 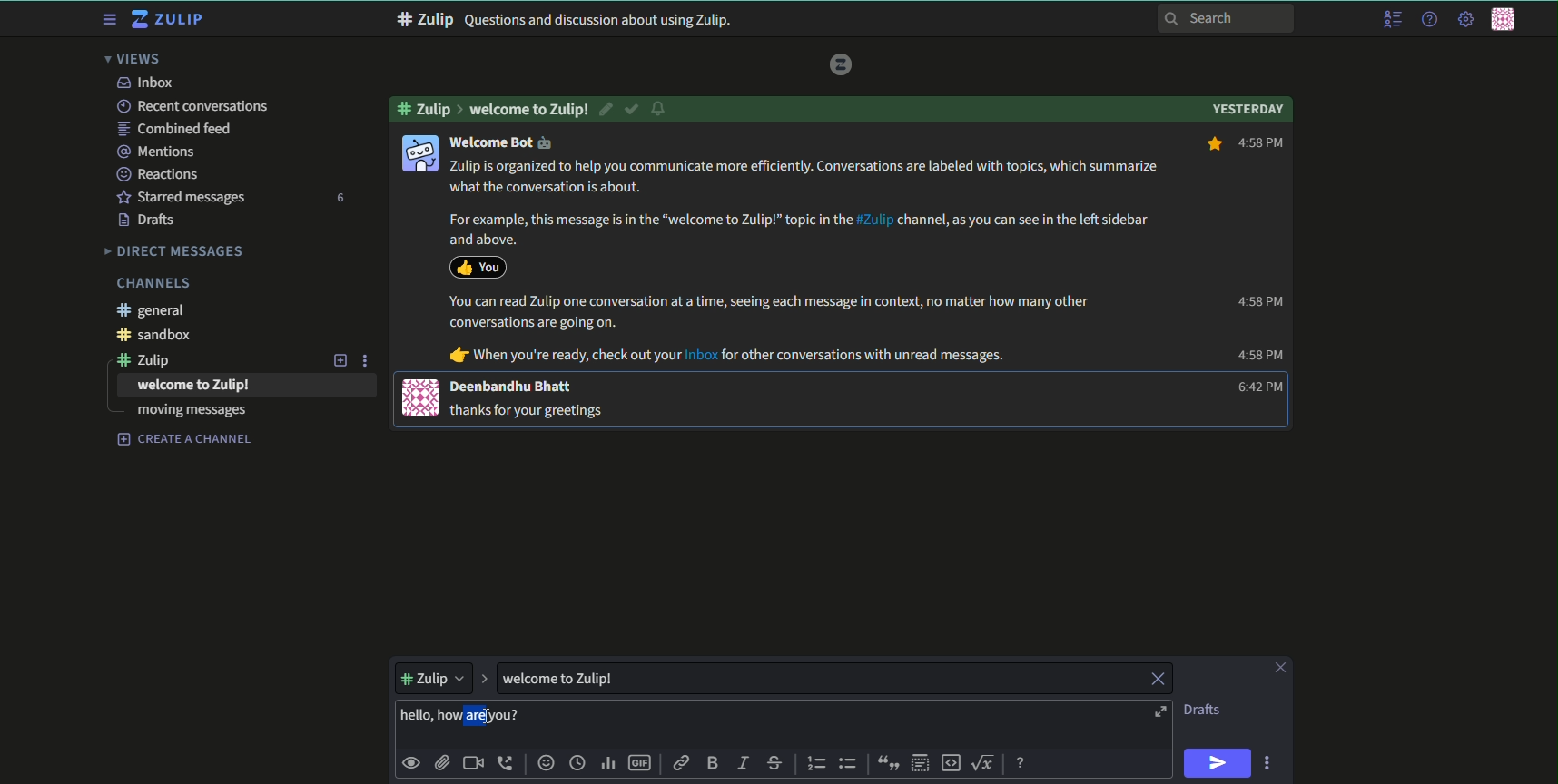 I want to click on send, so click(x=1218, y=763).